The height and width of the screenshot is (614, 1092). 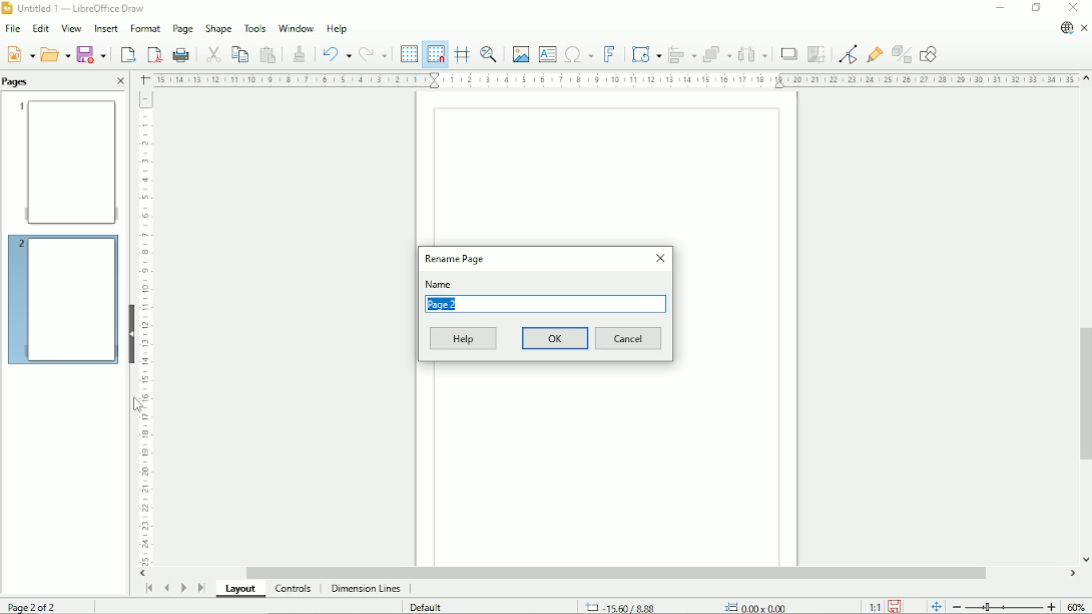 I want to click on Dimension lines, so click(x=365, y=589).